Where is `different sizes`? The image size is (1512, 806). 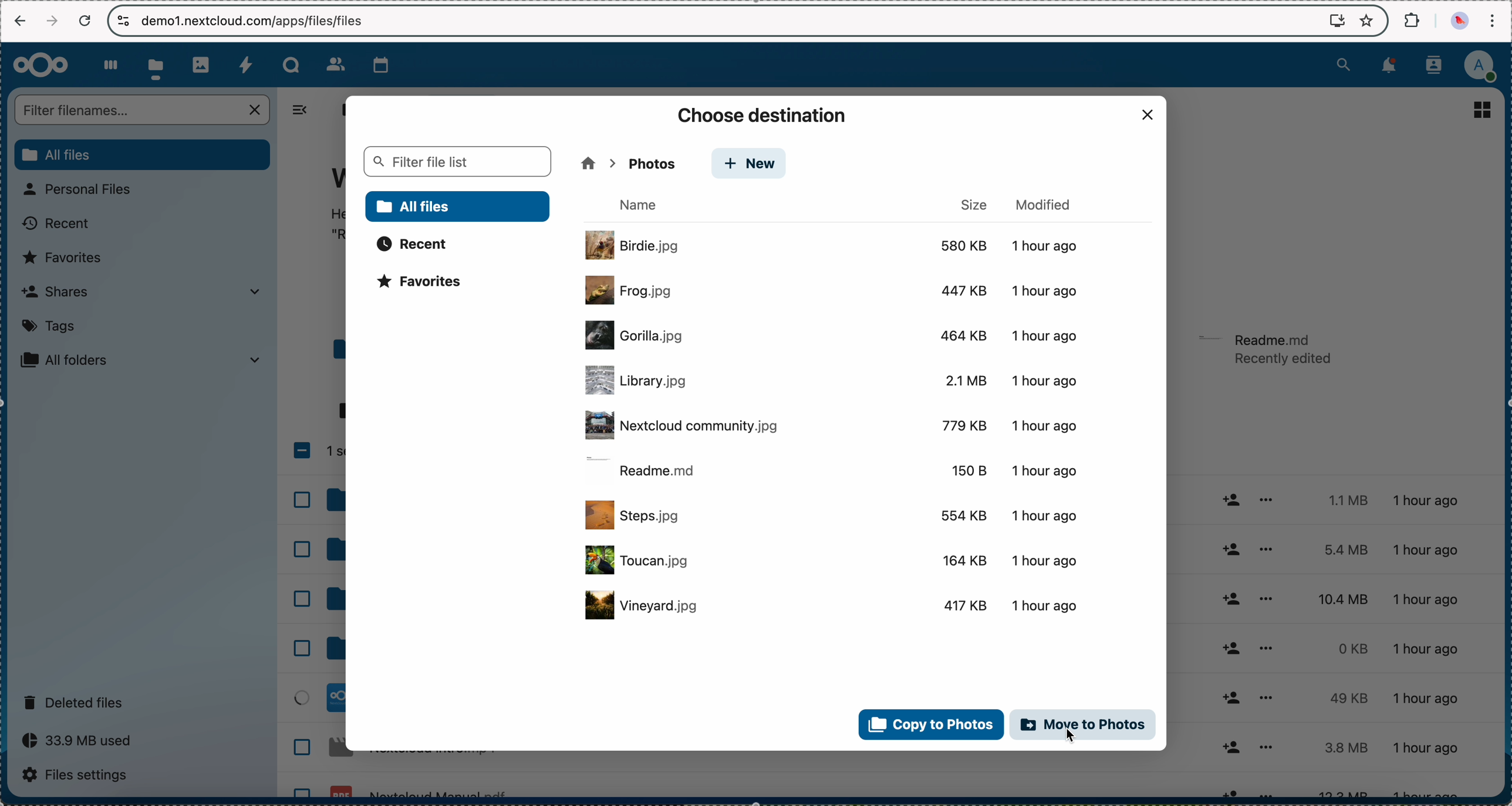
different sizes is located at coordinates (1336, 644).